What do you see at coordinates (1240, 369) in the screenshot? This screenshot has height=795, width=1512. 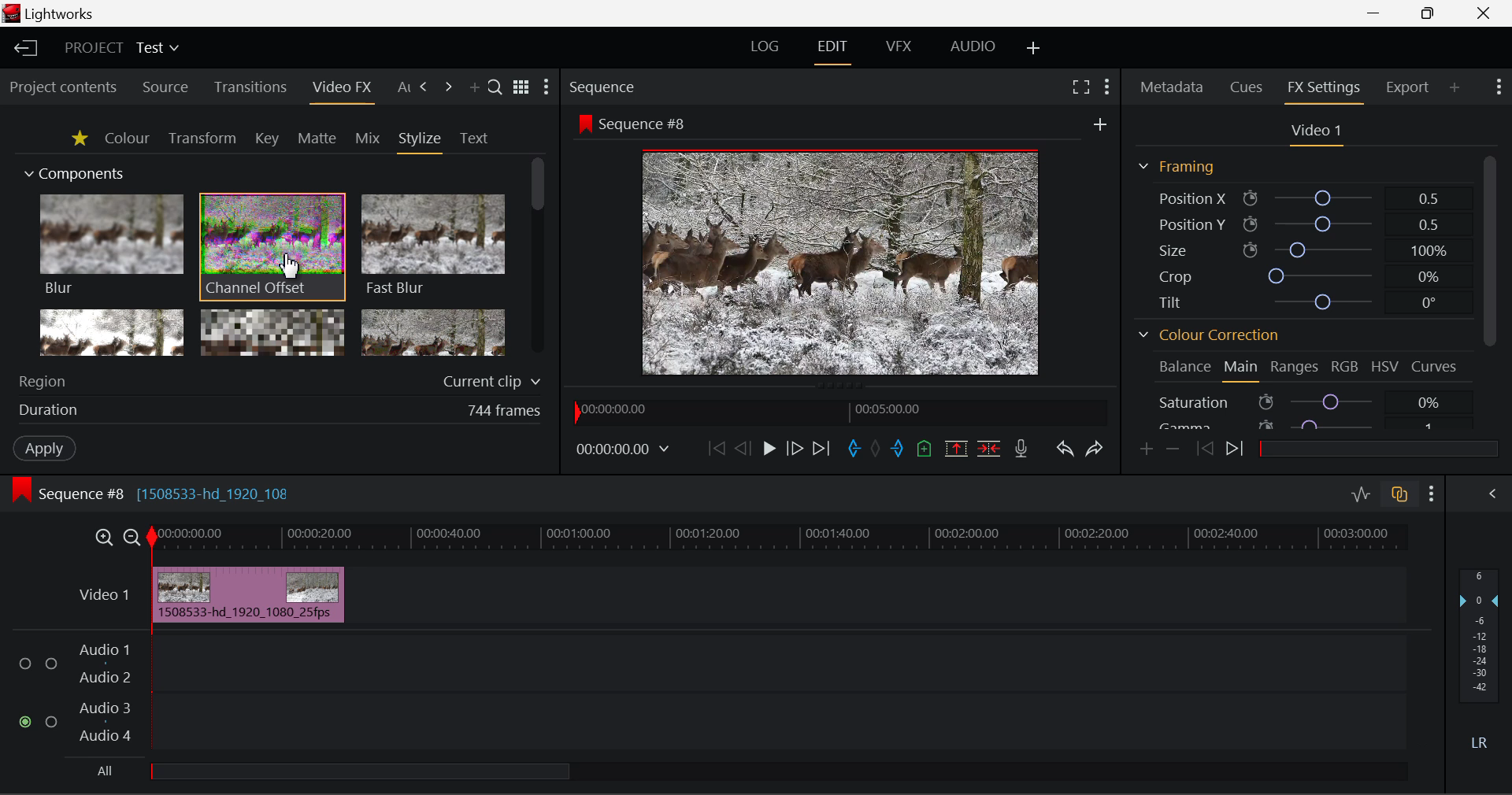 I see `Main Tab Open` at bounding box center [1240, 369].